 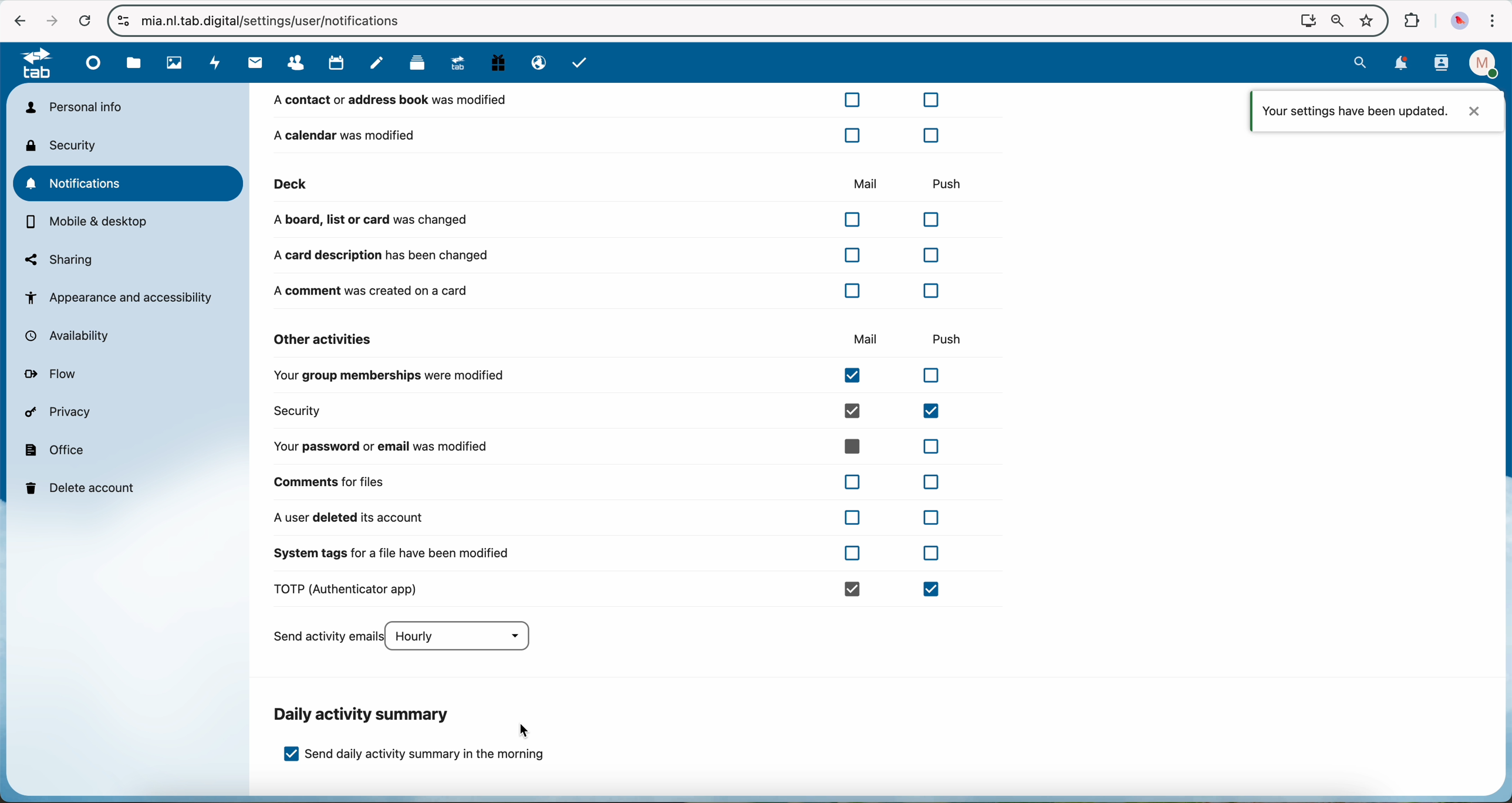 I want to click on notes, so click(x=377, y=63).